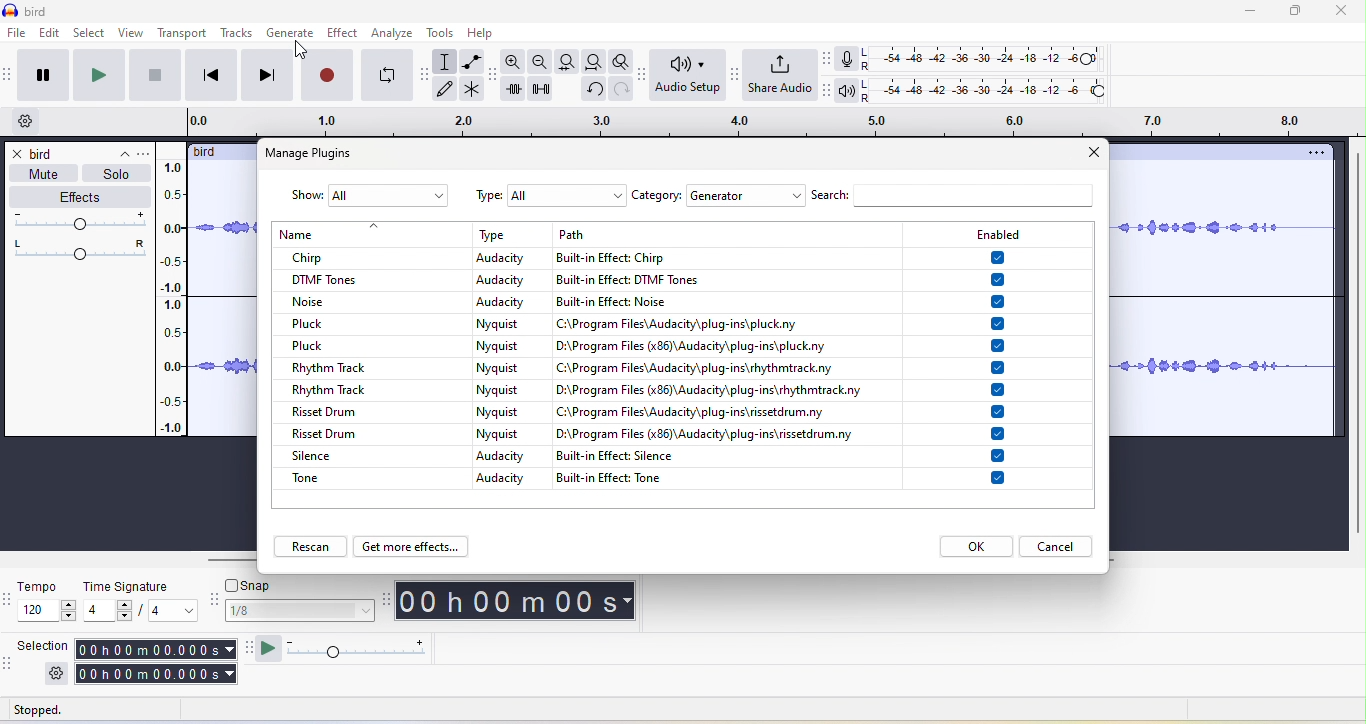  What do you see at coordinates (410, 547) in the screenshot?
I see `get more effects` at bounding box center [410, 547].